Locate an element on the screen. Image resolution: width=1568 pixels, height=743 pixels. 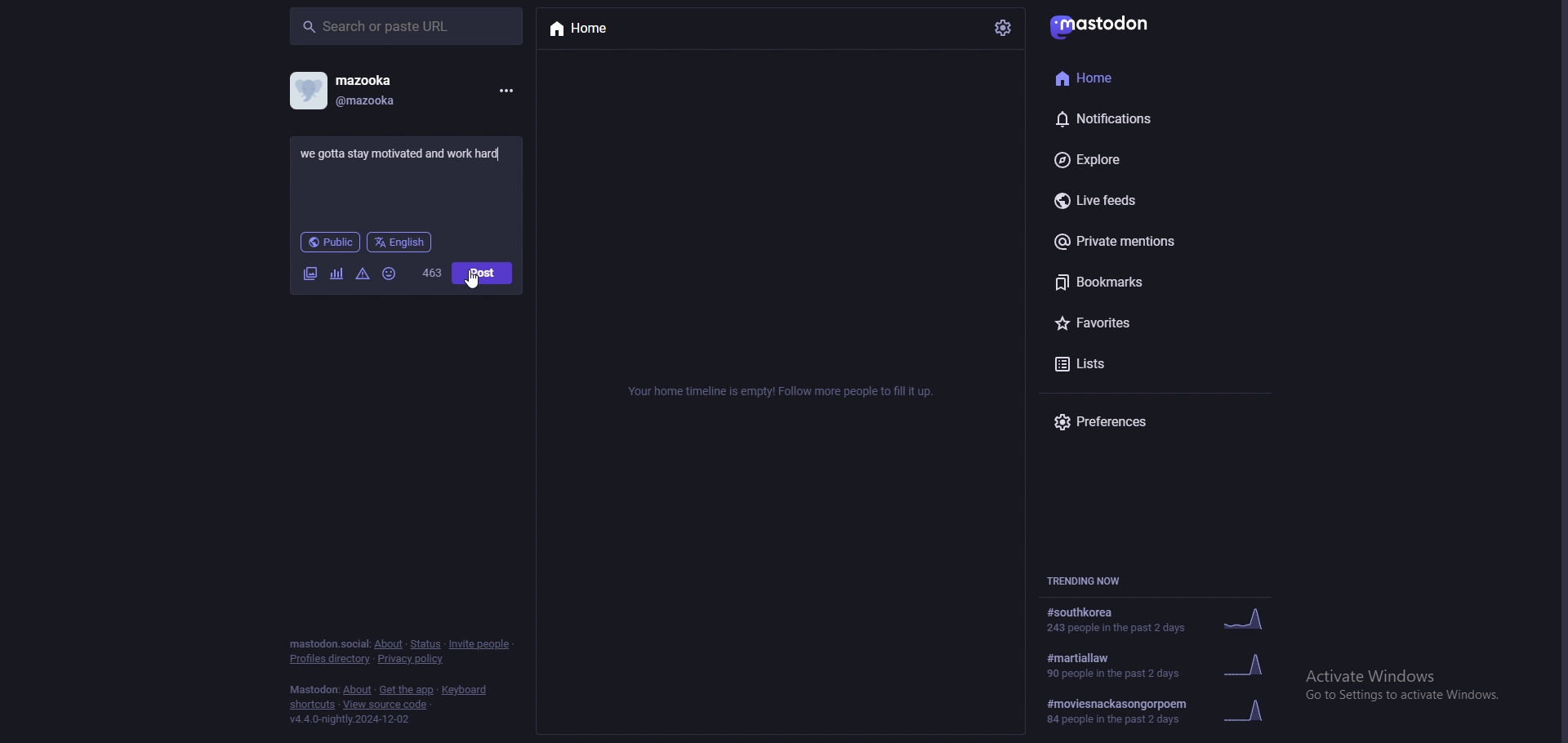
english is located at coordinates (400, 242).